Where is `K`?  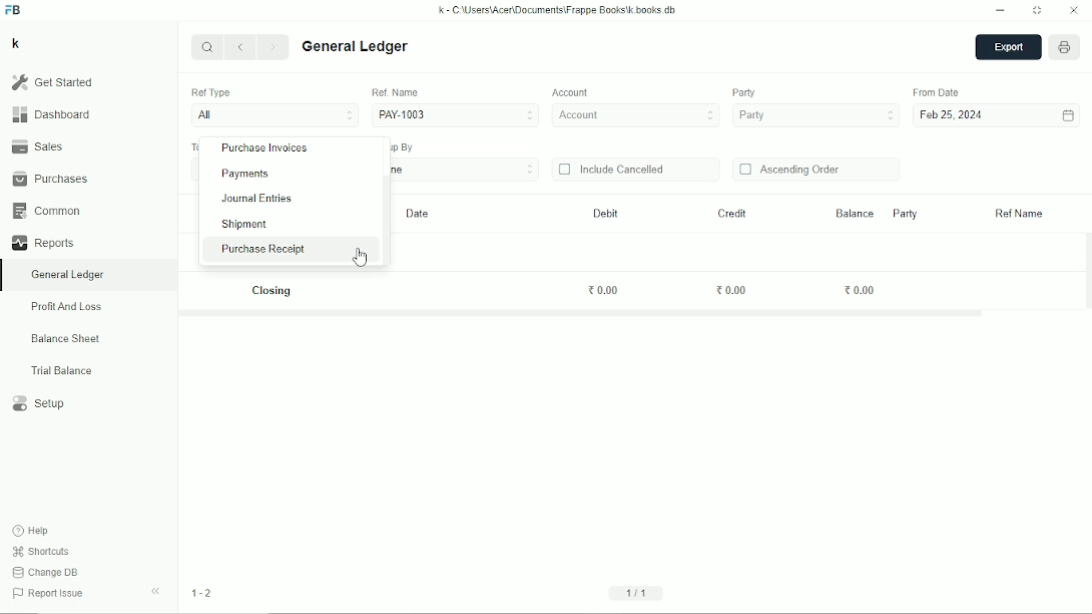
K is located at coordinates (16, 43).